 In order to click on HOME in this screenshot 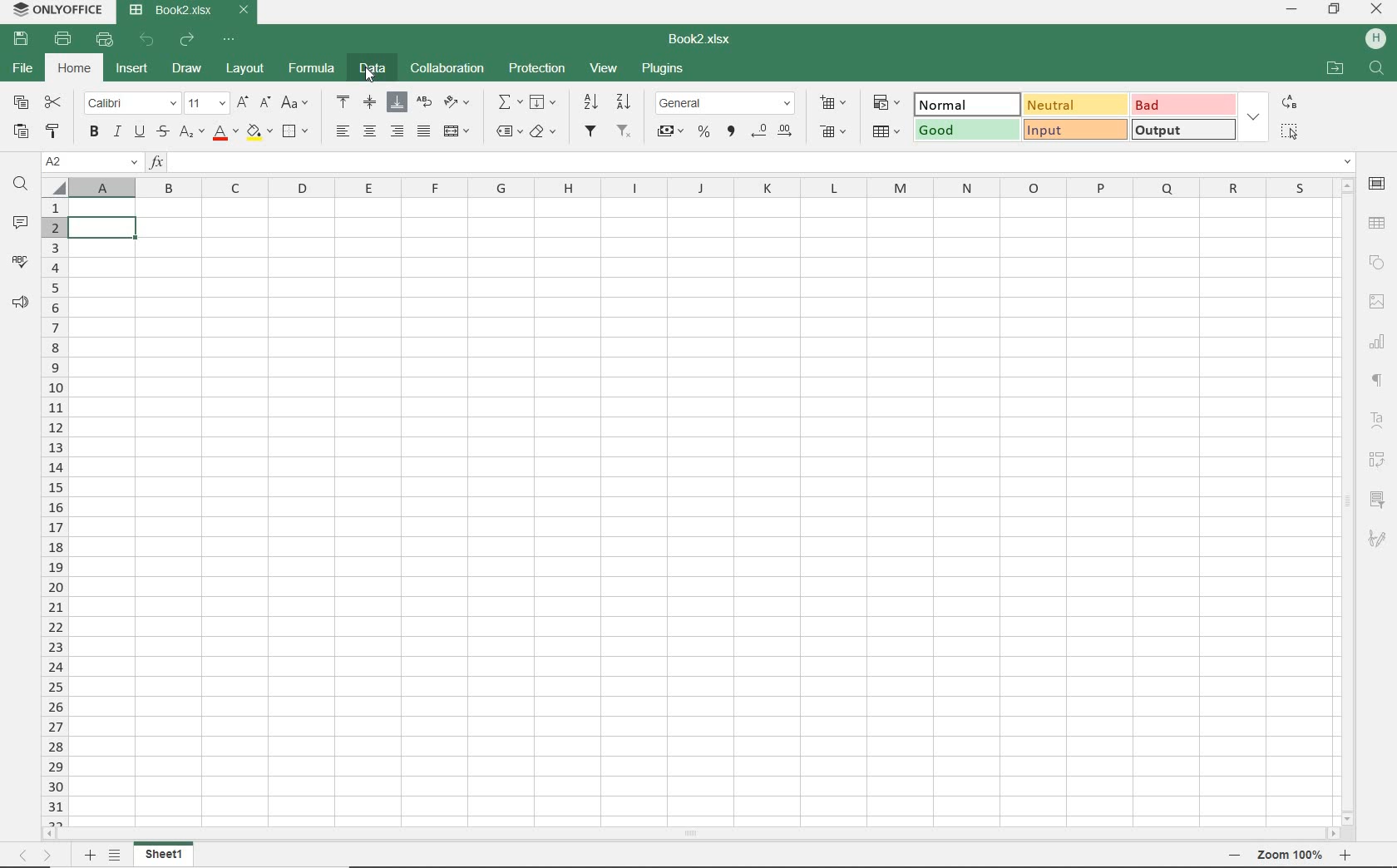, I will do `click(76, 70)`.